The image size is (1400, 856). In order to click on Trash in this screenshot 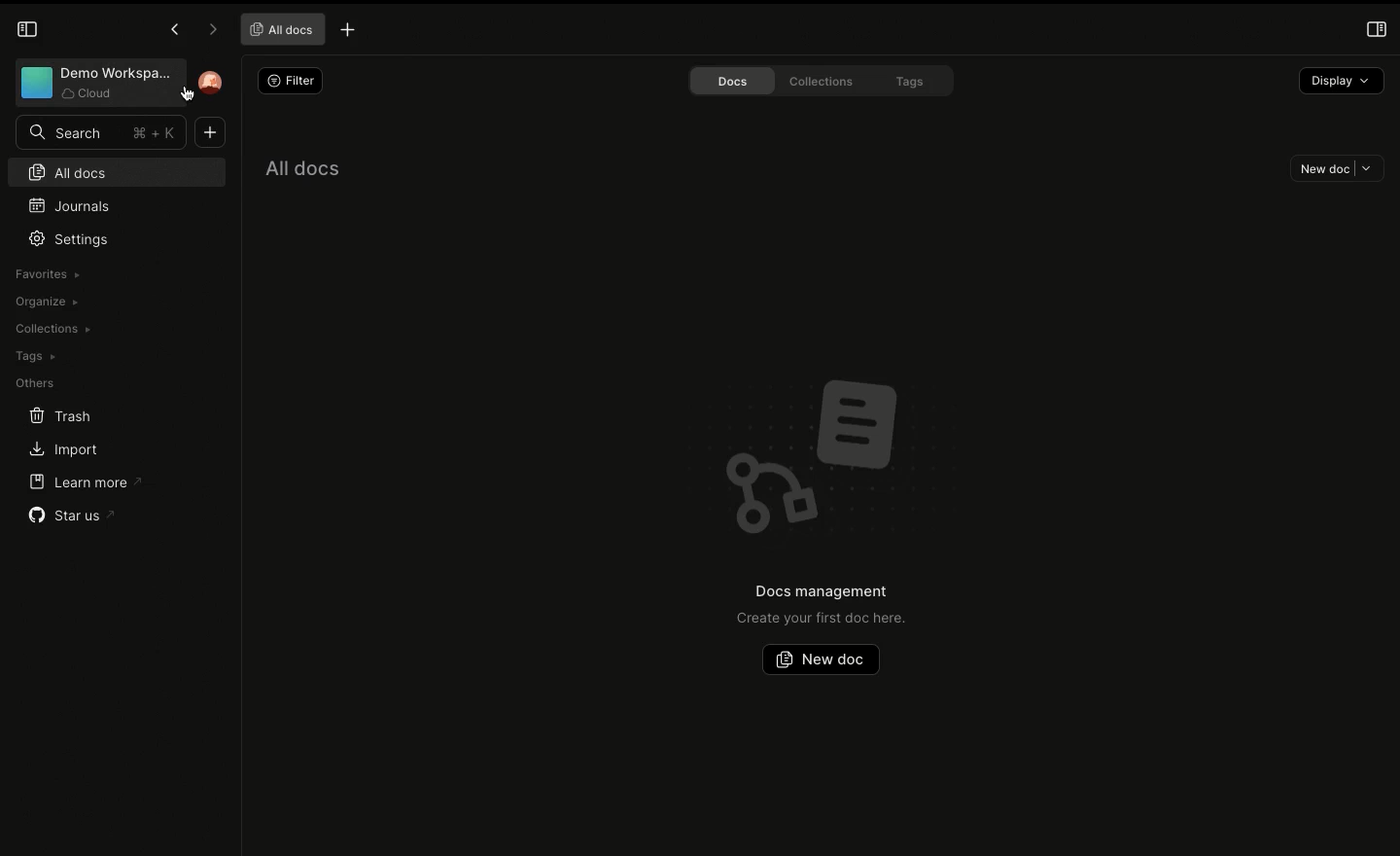, I will do `click(62, 415)`.